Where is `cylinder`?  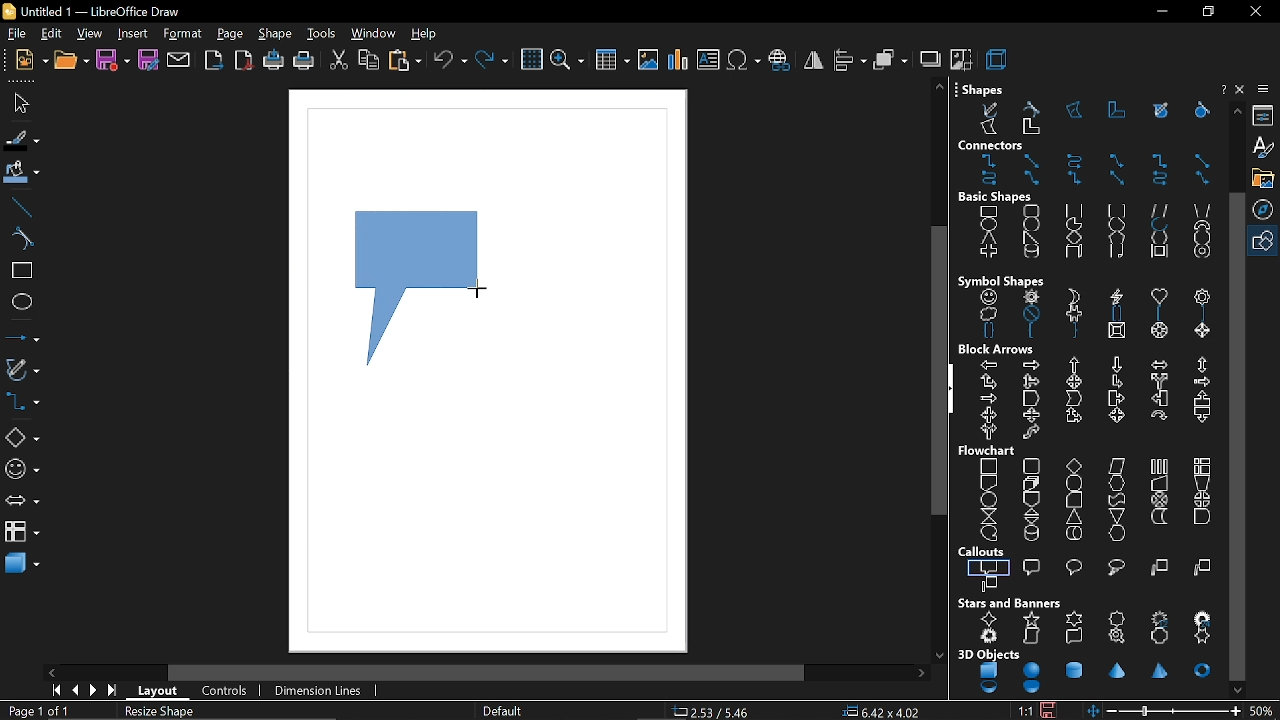 cylinder is located at coordinates (1028, 253).